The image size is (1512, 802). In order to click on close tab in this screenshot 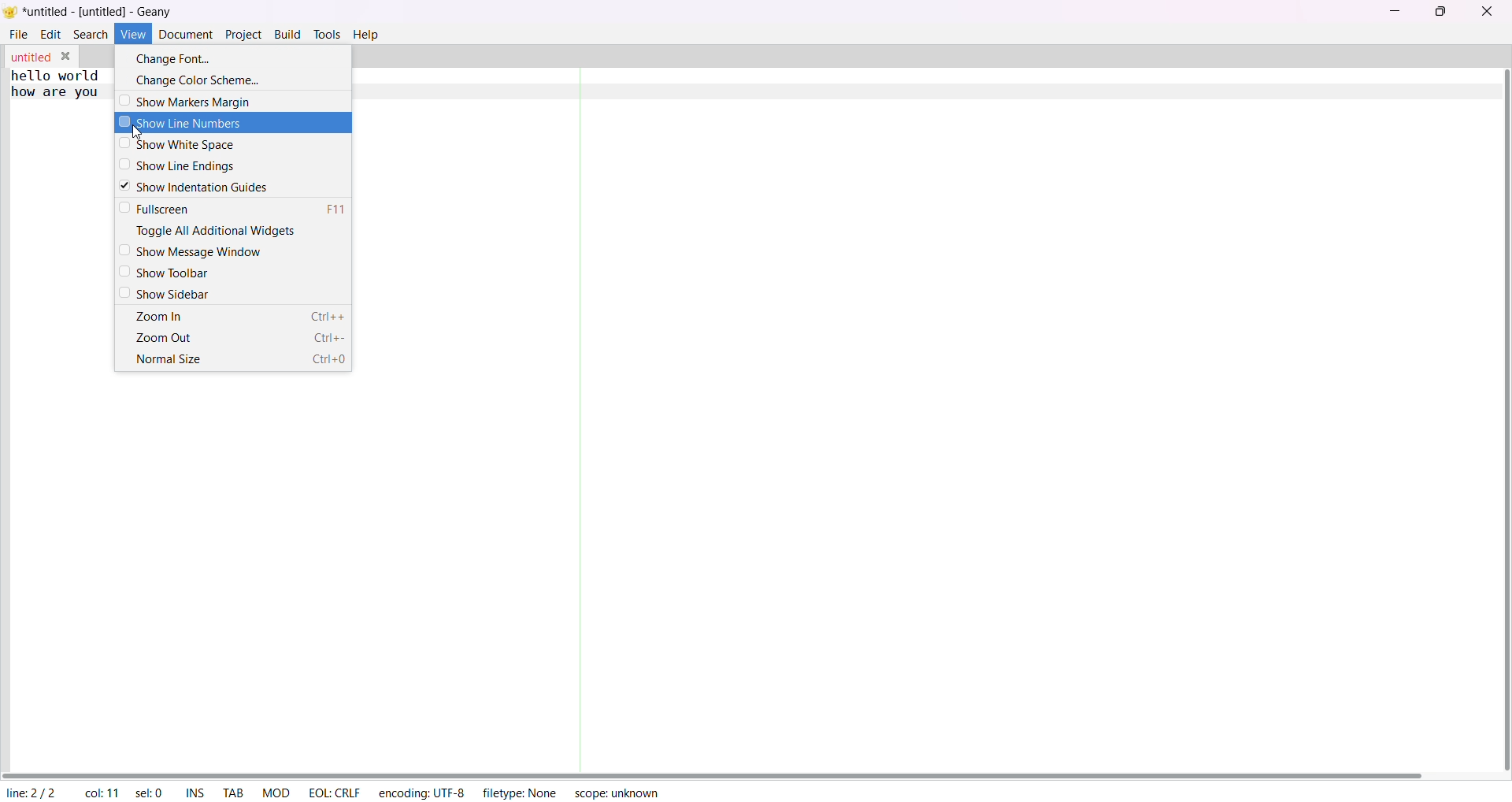, I will do `click(67, 56)`.